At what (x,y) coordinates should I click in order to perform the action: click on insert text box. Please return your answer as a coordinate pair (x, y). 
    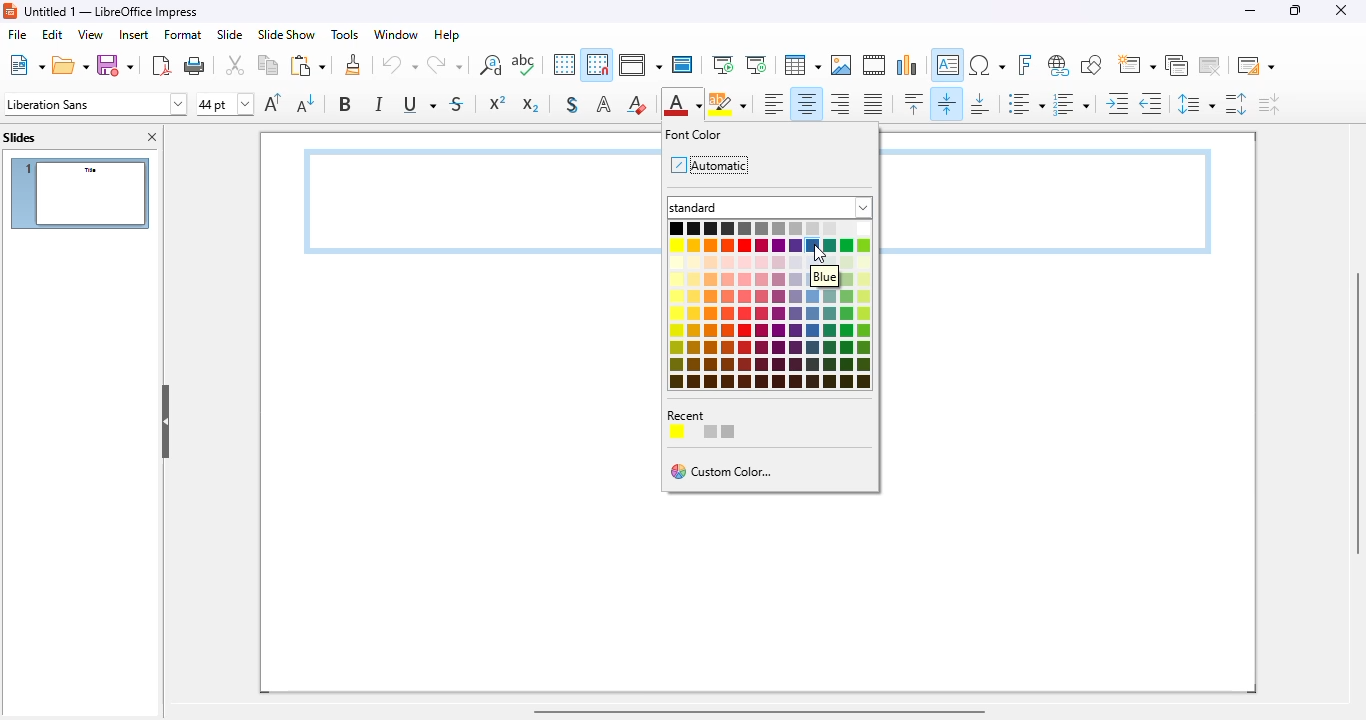
    Looking at the image, I should click on (948, 65).